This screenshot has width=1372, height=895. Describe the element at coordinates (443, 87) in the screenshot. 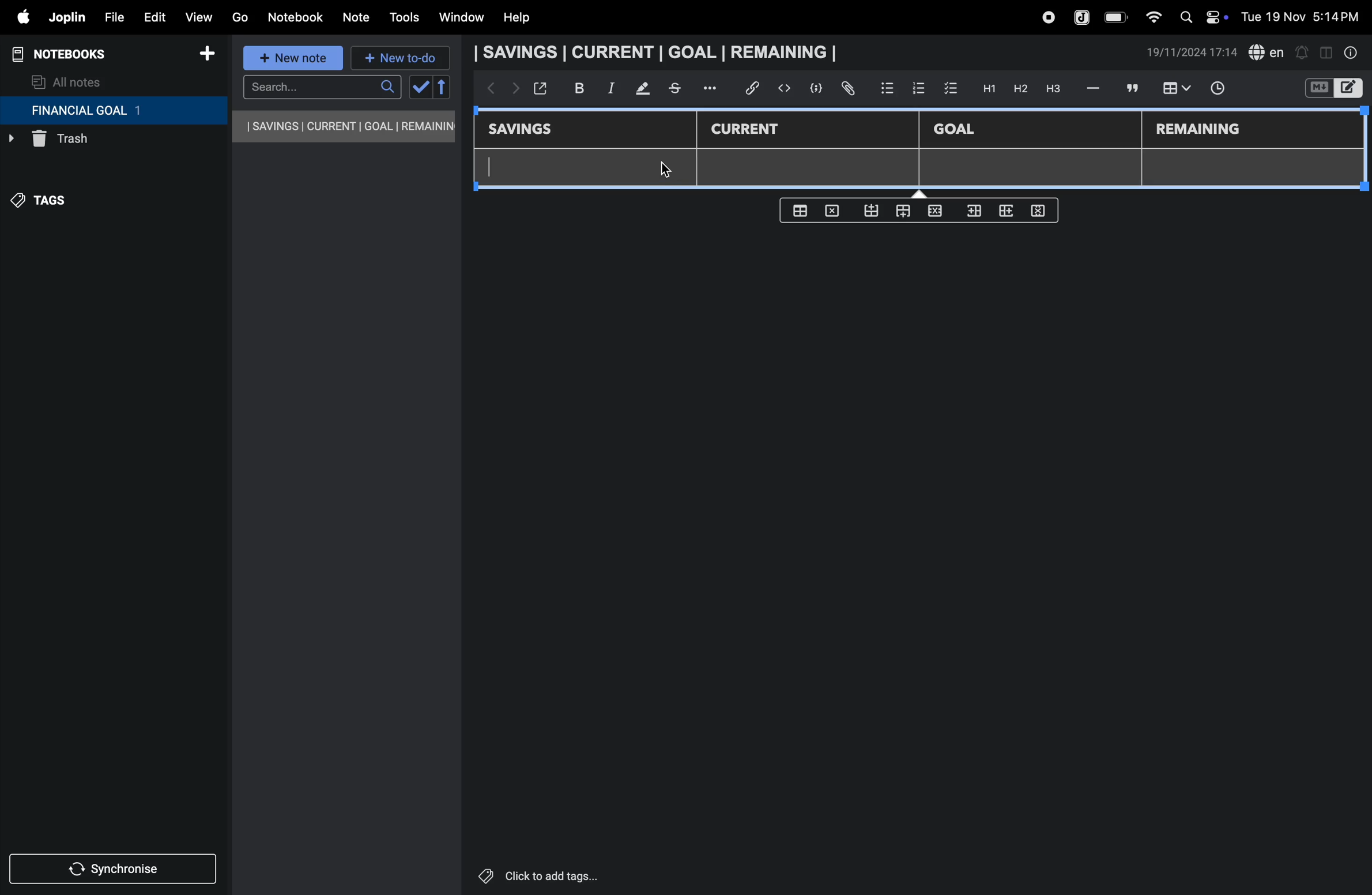

I see `reverse sort order` at that location.